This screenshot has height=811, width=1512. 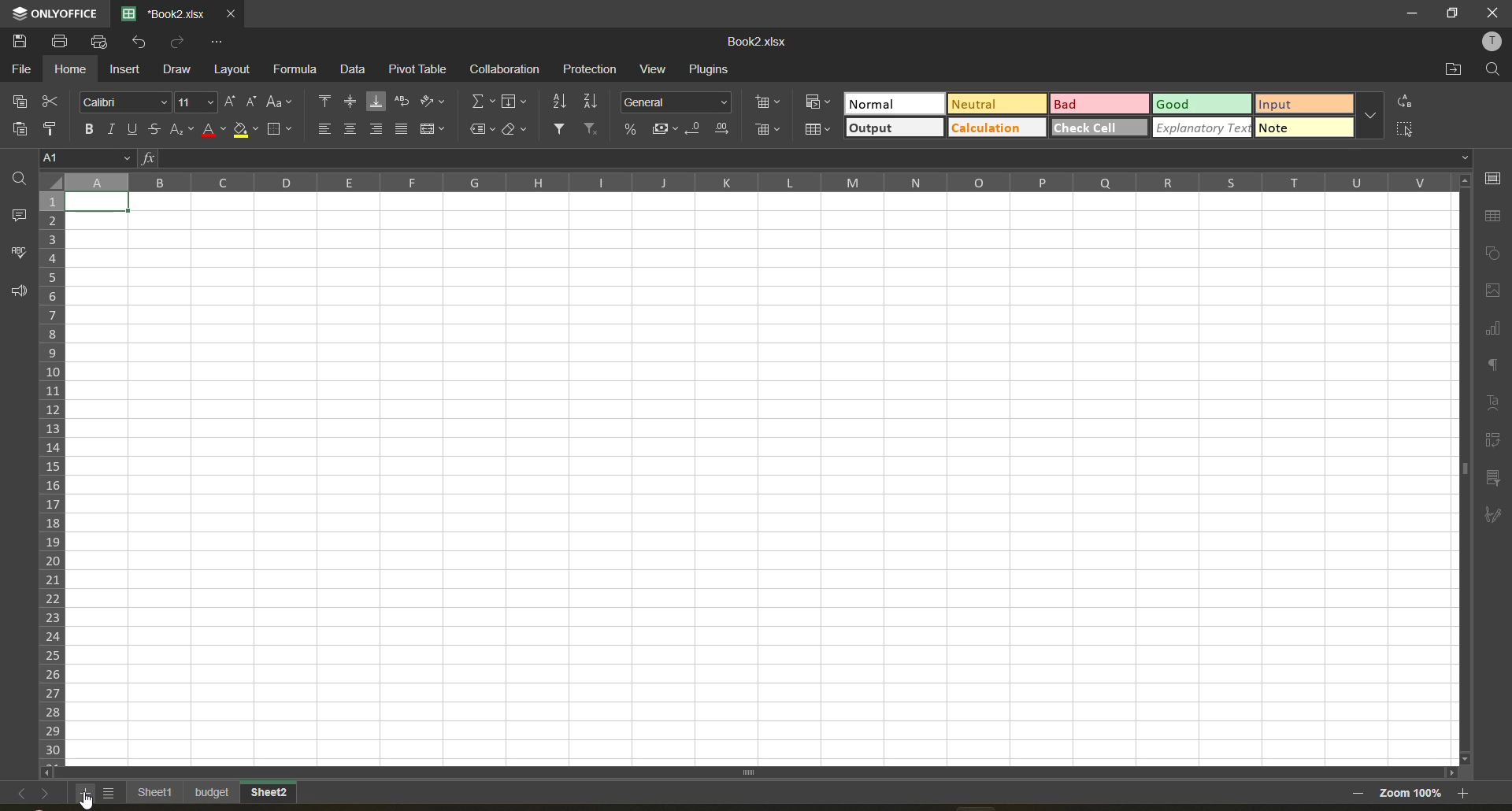 I want to click on increase decimal, so click(x=721, y=128).